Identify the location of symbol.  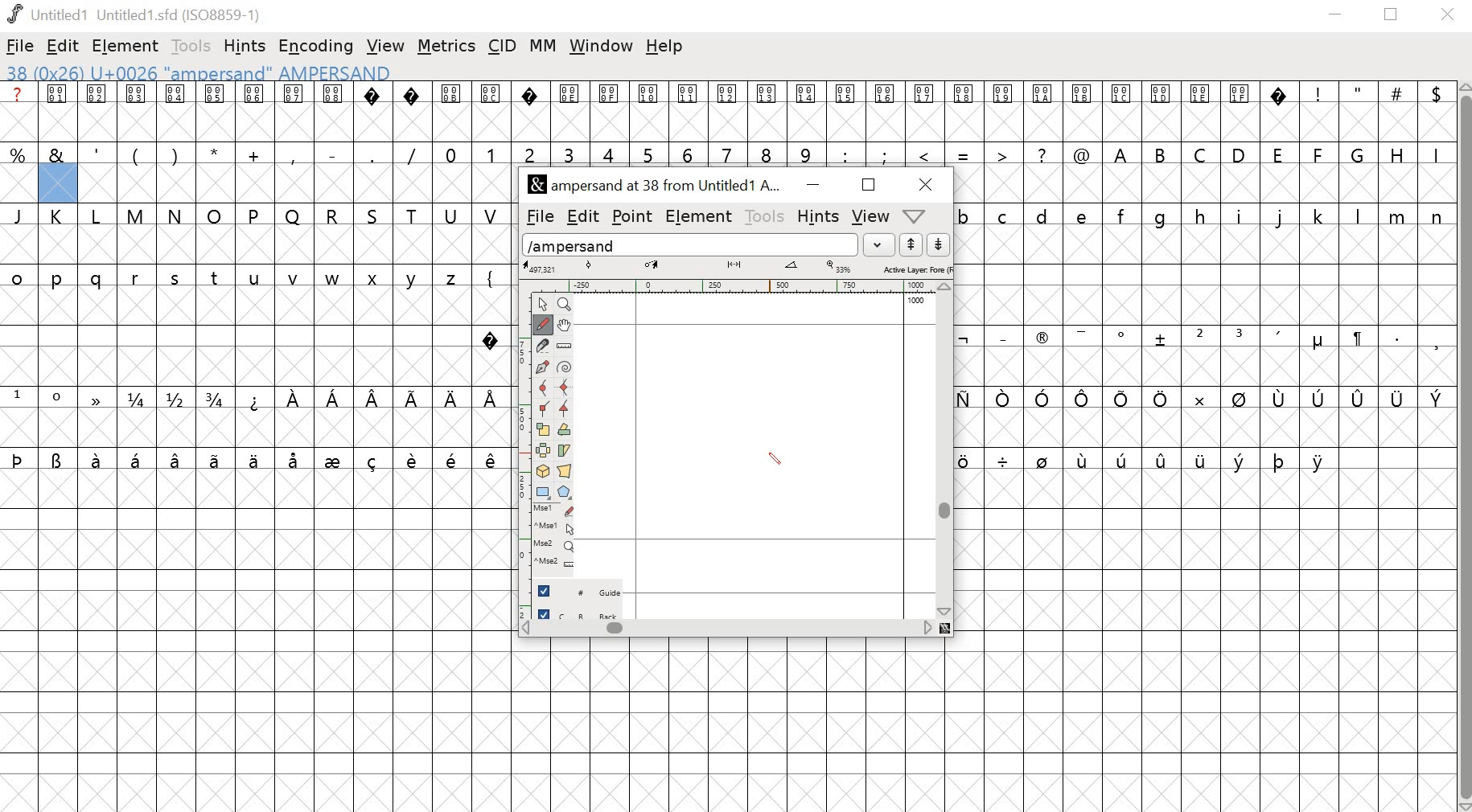
(58, 459).